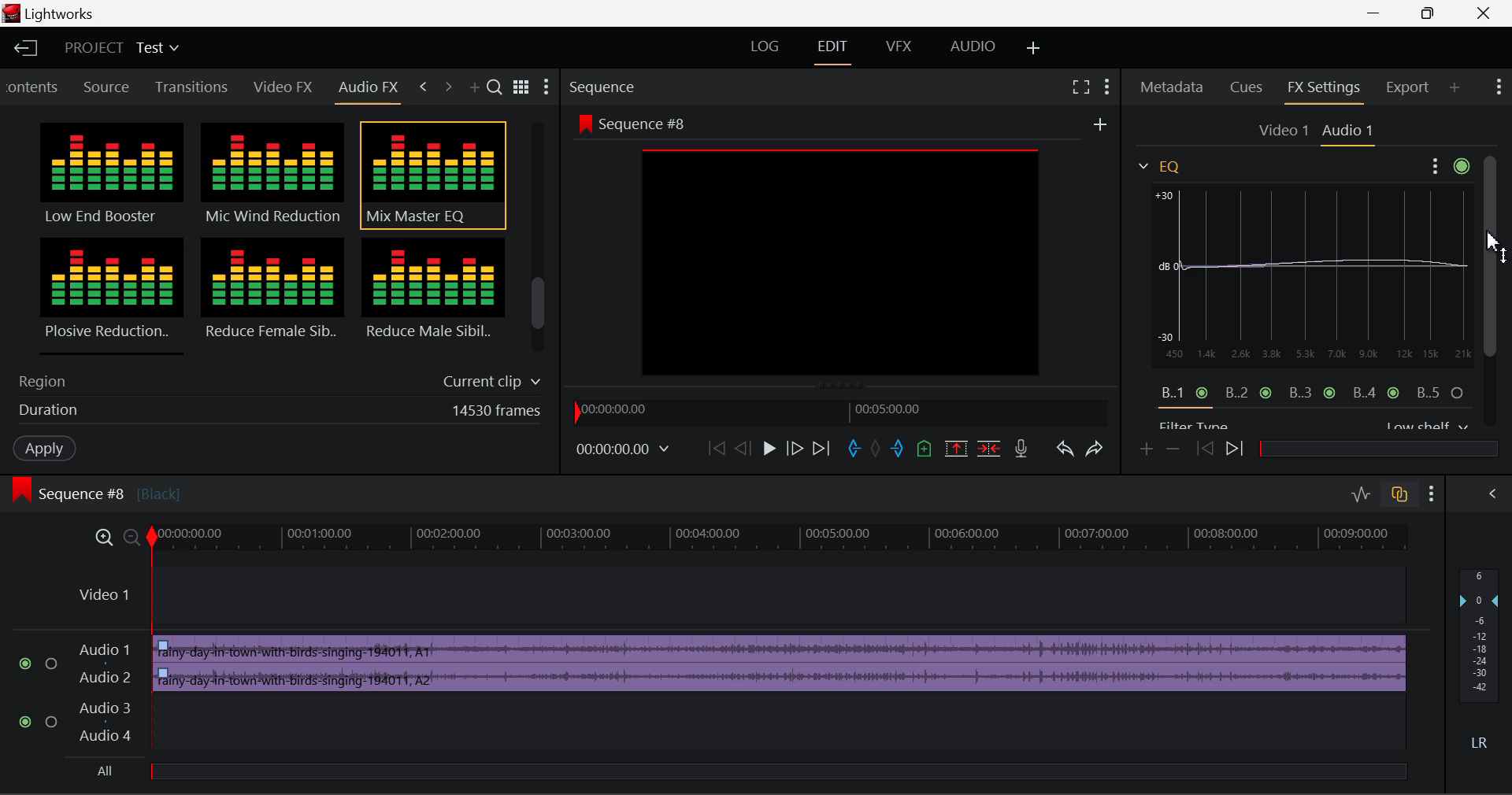 The width and height of the screenshot is (1512, 795). What do you see at coordinates (273, 176) in the screenshot?
I see `Mic Wind Reduction` at bounding box center [273, 176].